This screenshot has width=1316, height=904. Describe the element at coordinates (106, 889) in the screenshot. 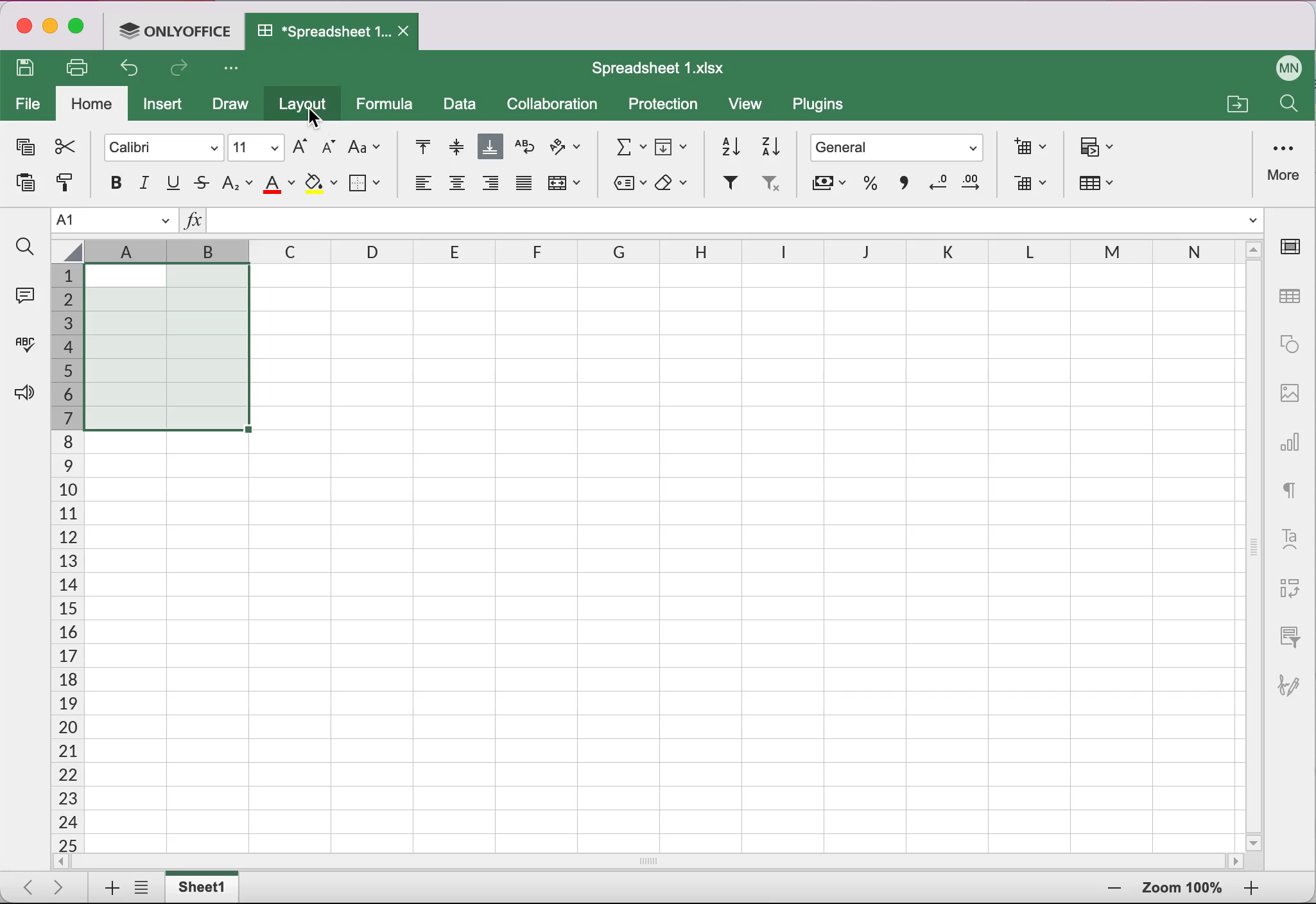

I see `add sheet` at that location.